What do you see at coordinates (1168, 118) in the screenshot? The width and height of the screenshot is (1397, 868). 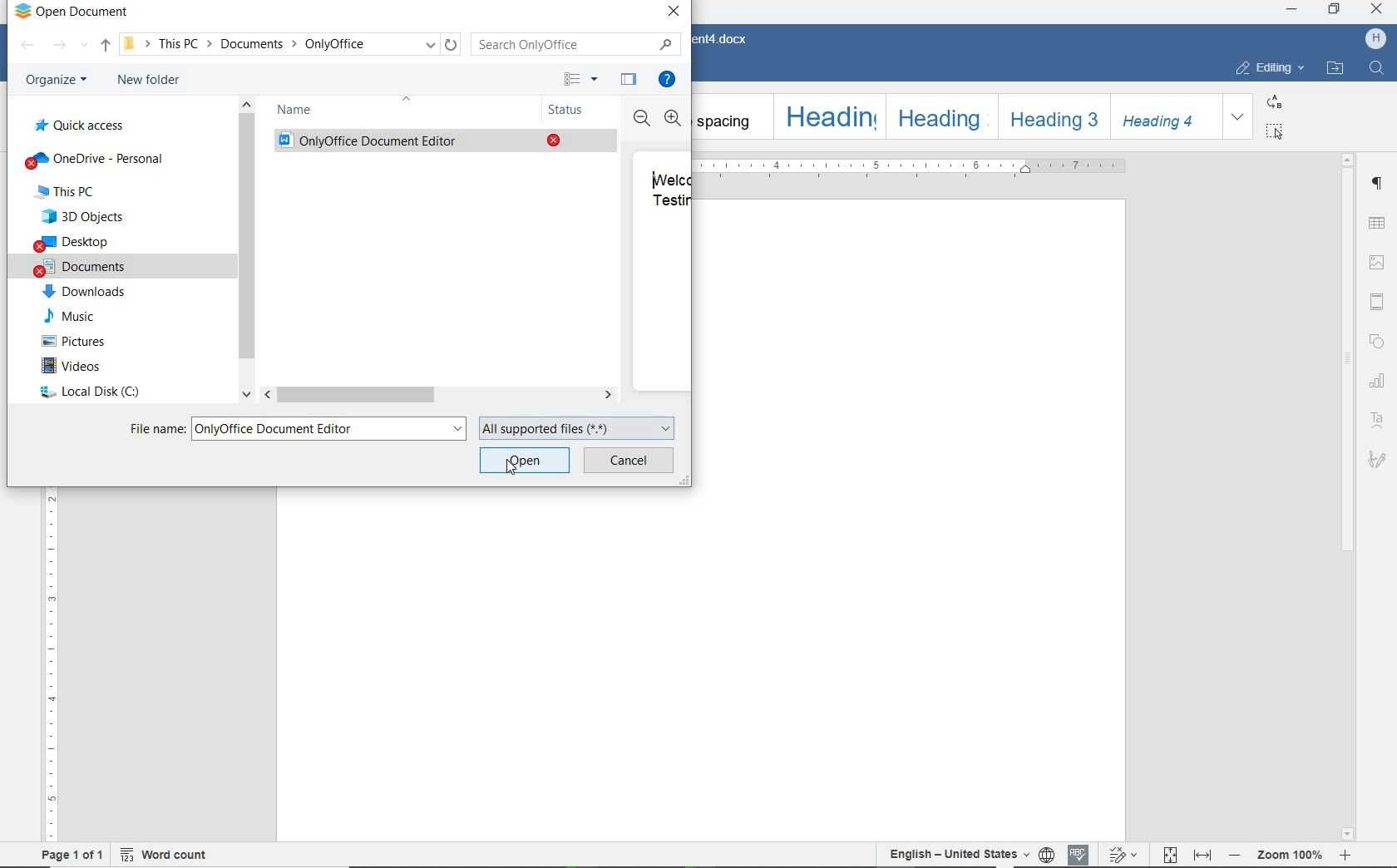 I see `Heading 4` at bounding box center [1168, 118].